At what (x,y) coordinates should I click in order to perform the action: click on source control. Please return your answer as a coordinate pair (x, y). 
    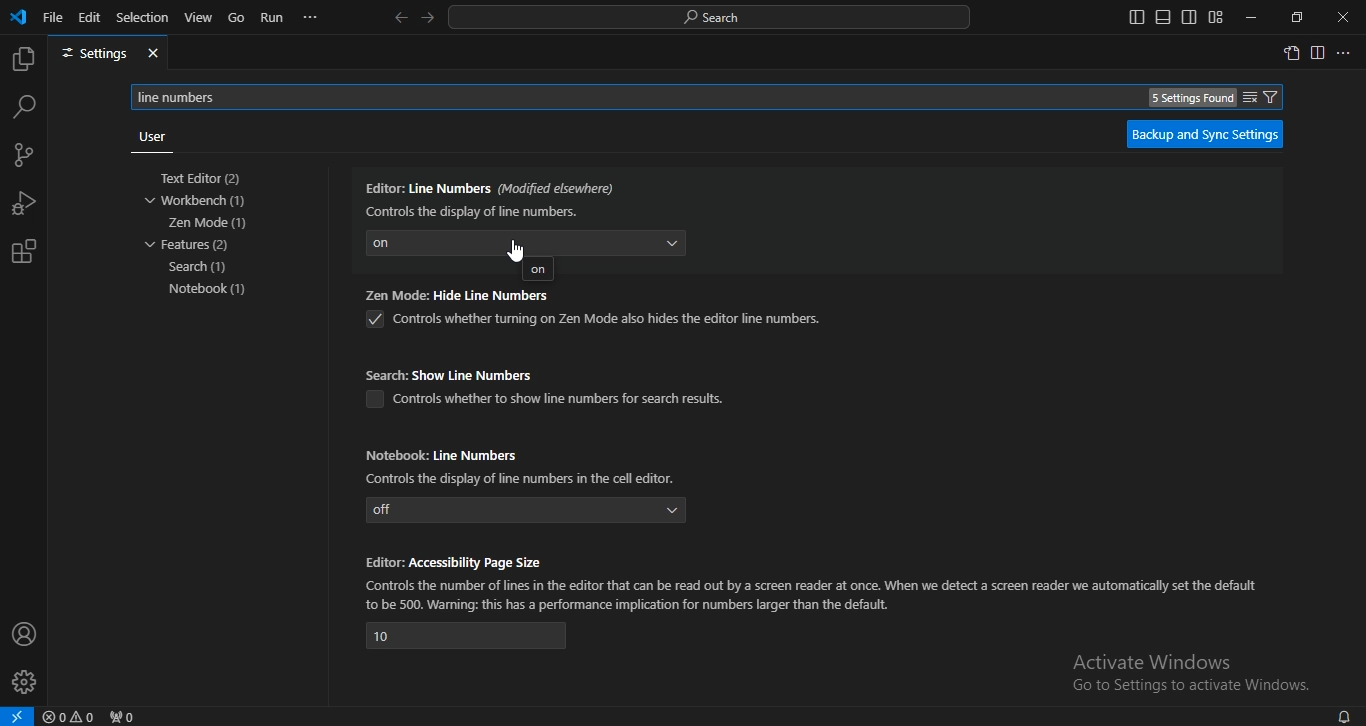
    Looking at the image, I should click on (22, 157).